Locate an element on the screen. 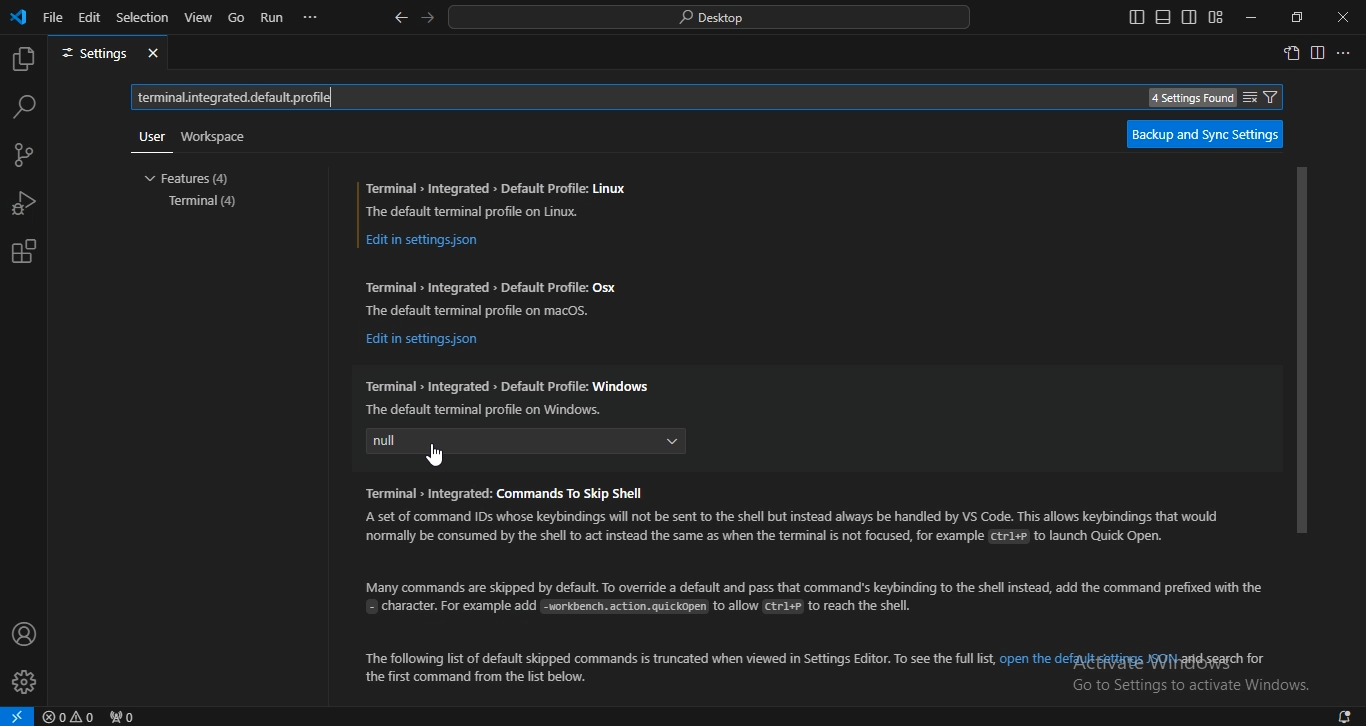  view is located at coordinates (199, 18).